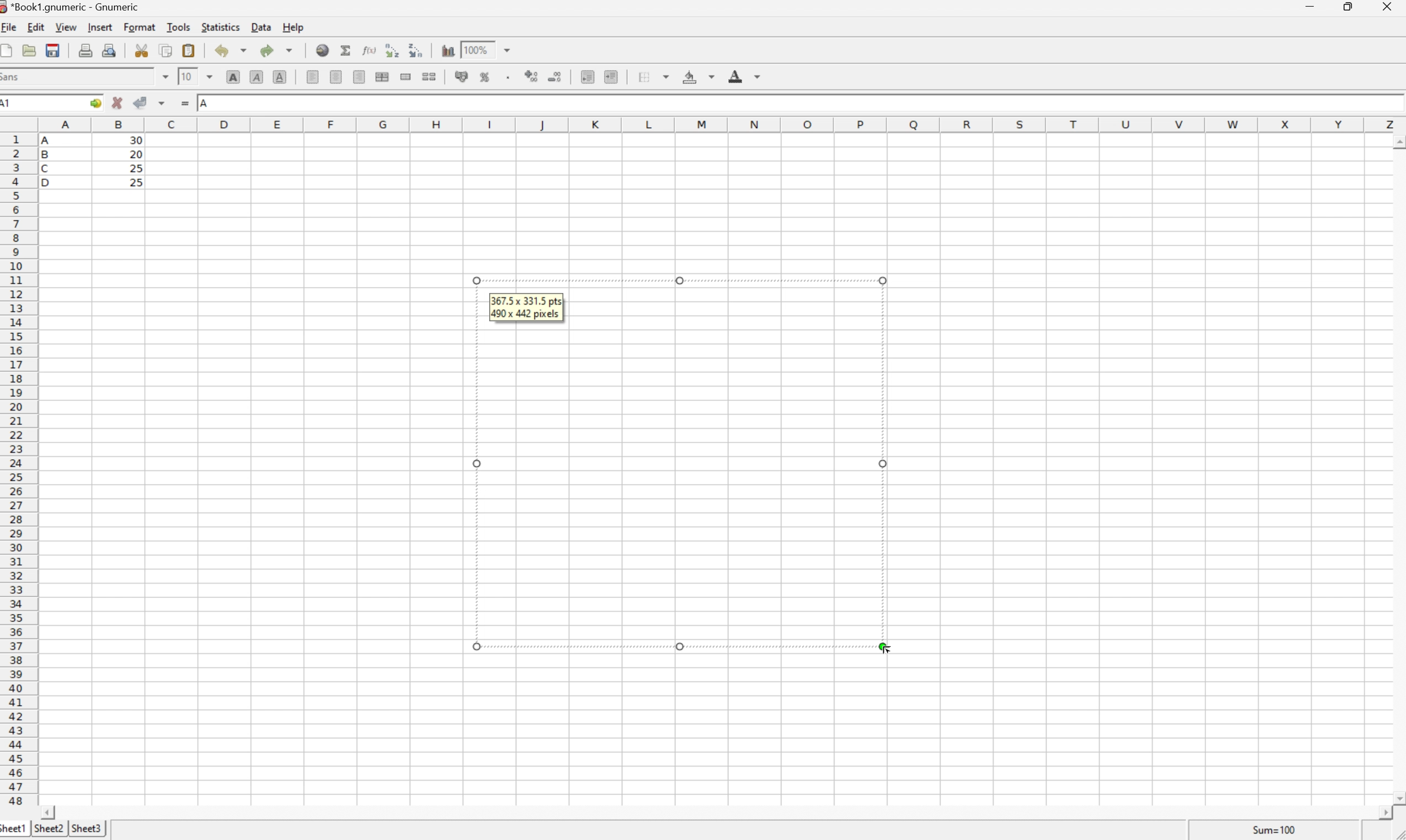 This screenshot has height=840, width=1406. What do you see at coordinates (507, 78) in the screenshot?
I see `Set the format of the selected cells to include a thousands separator` at bounding box center [507, 78].